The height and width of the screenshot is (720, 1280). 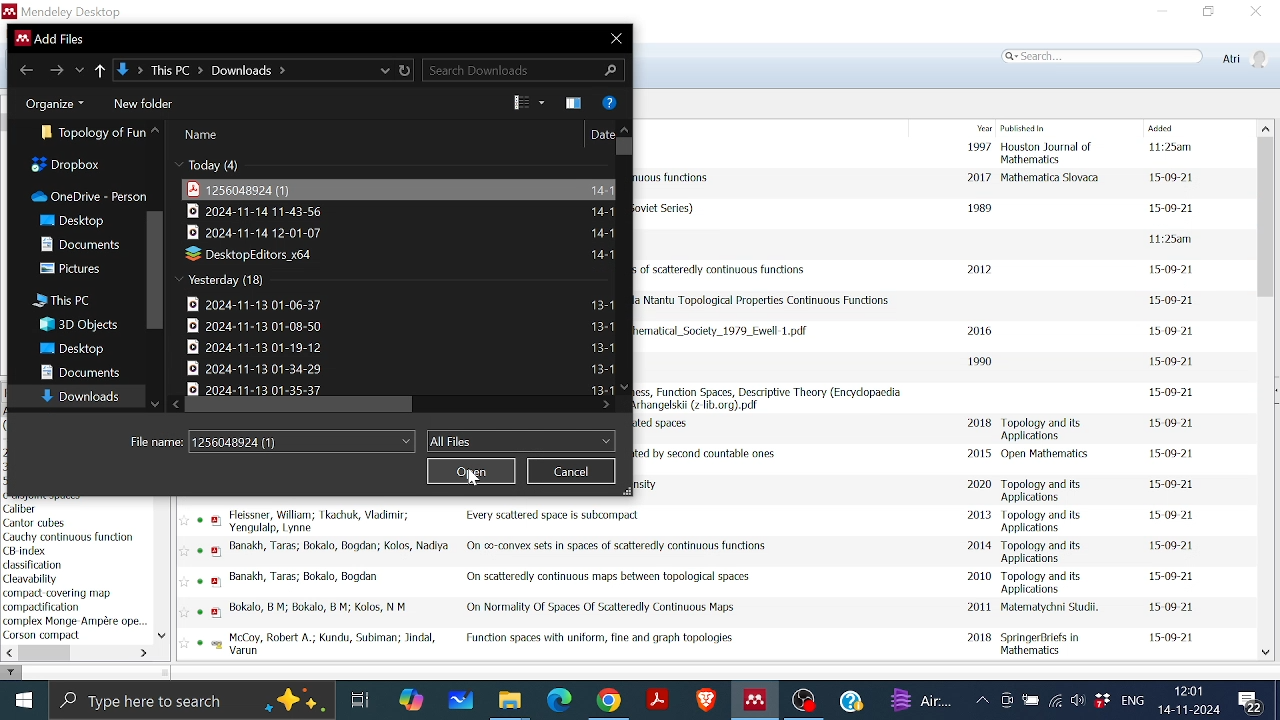 What do you see at coordinates (1265, 126) in the screenshot?
I see `` at bounding box center [1265, 126].